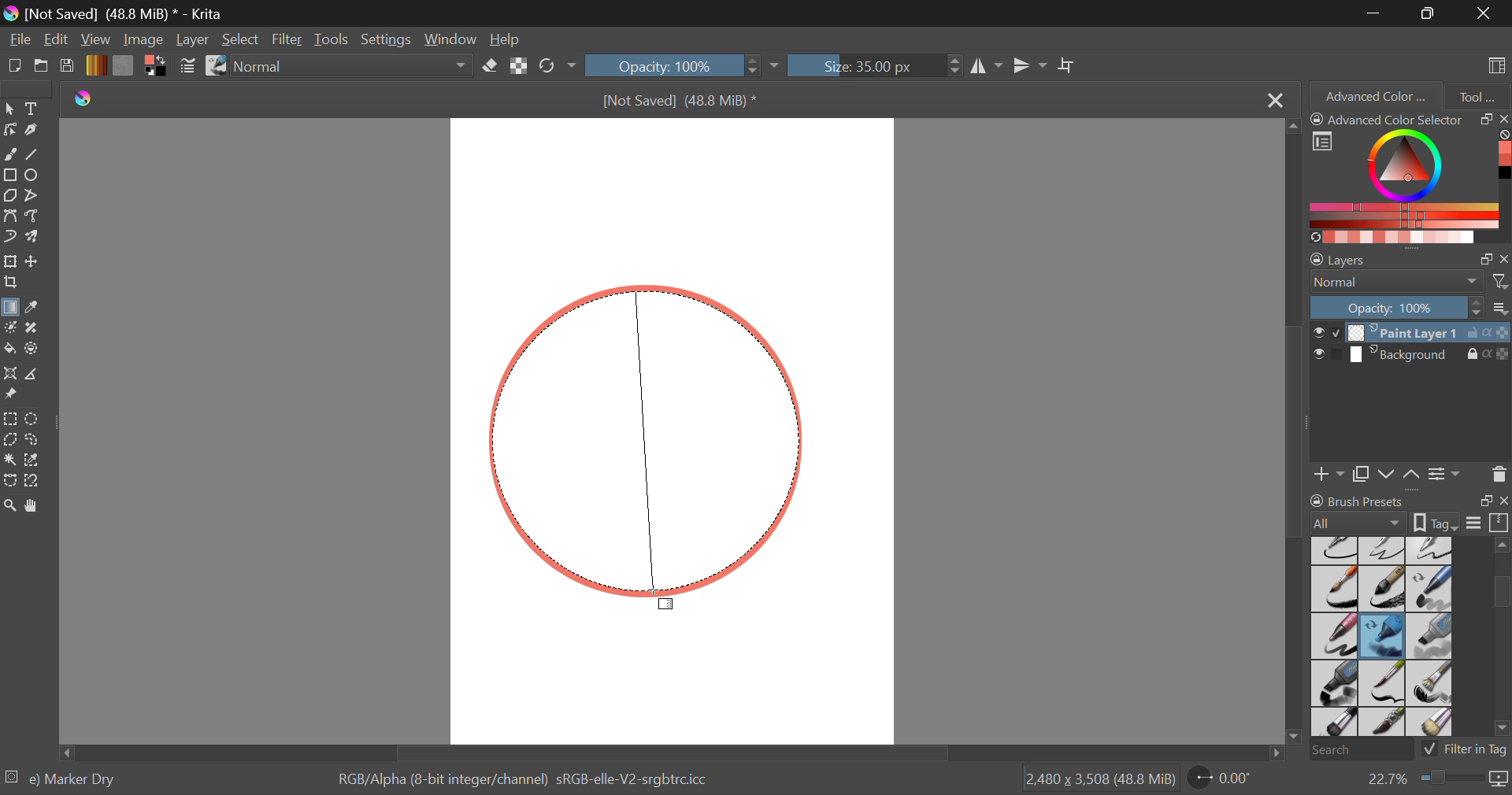 The width and height of the screenshot is (1512, 795). Describe the element at coordinates (9, 109) in the screenshot. I see `Select` at that location.